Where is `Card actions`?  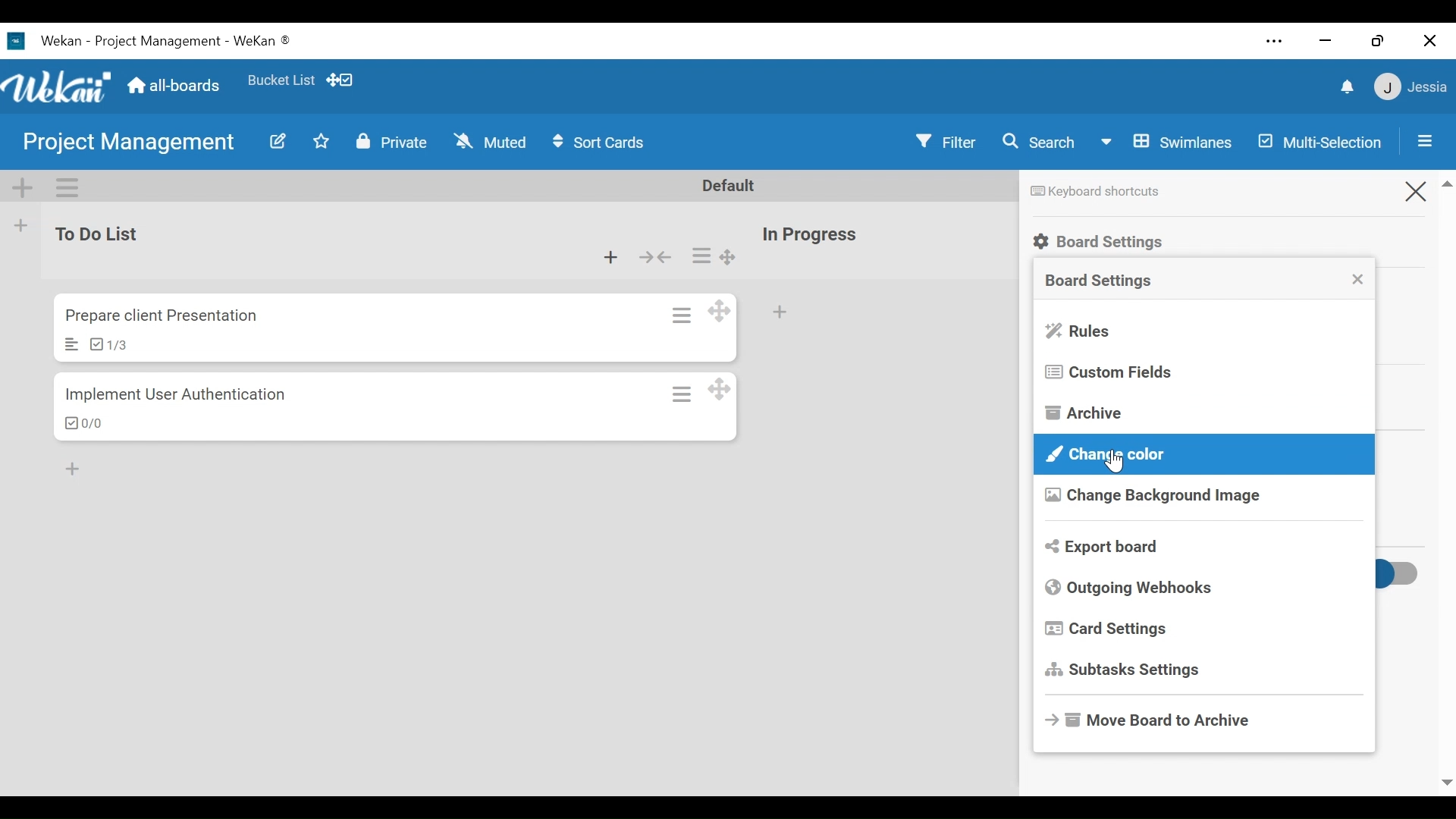
Card actions is located at coordinates (701, 256).